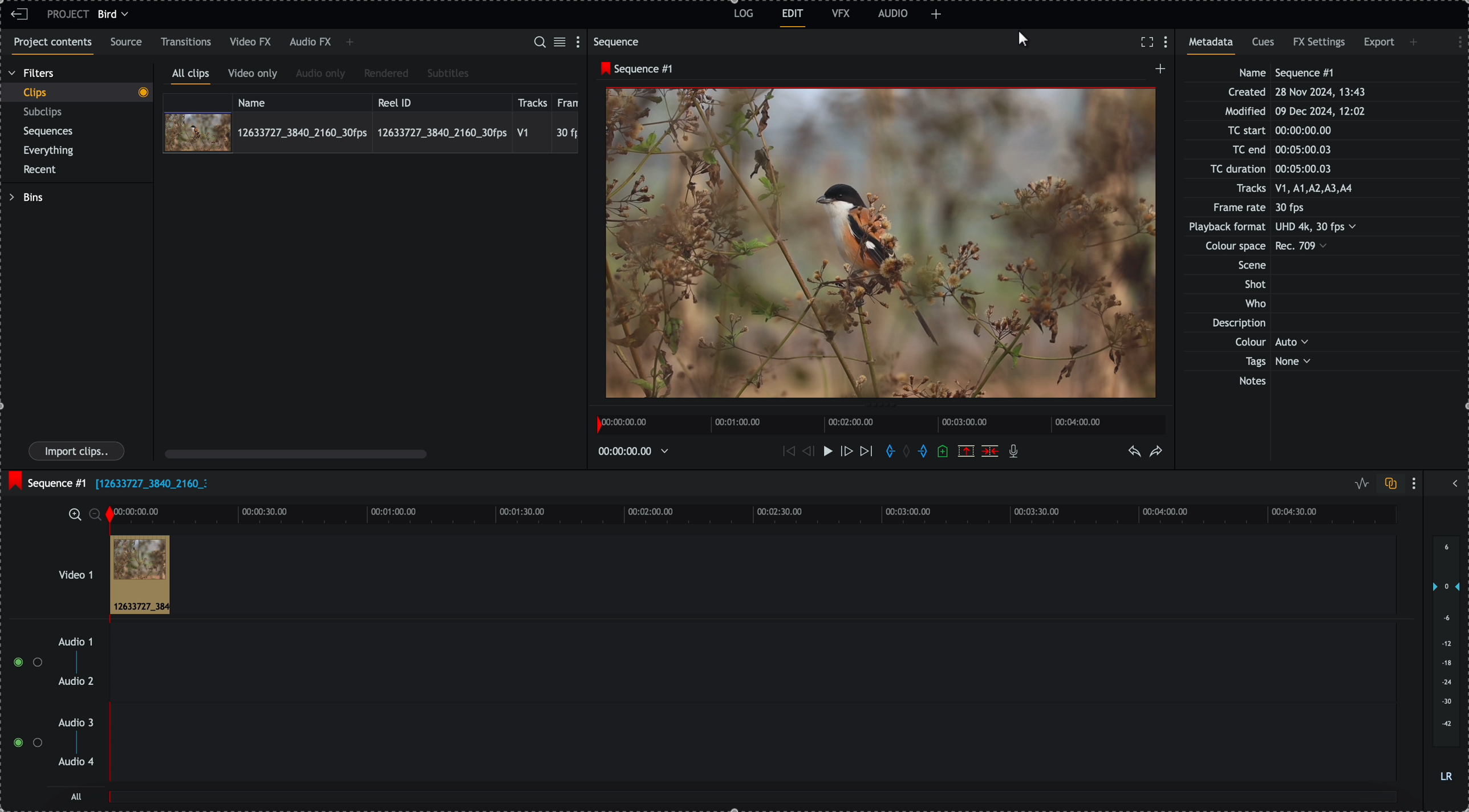  Describe the element at coordinates (841, 13) in the screenshot. I see `VFX` at that location.